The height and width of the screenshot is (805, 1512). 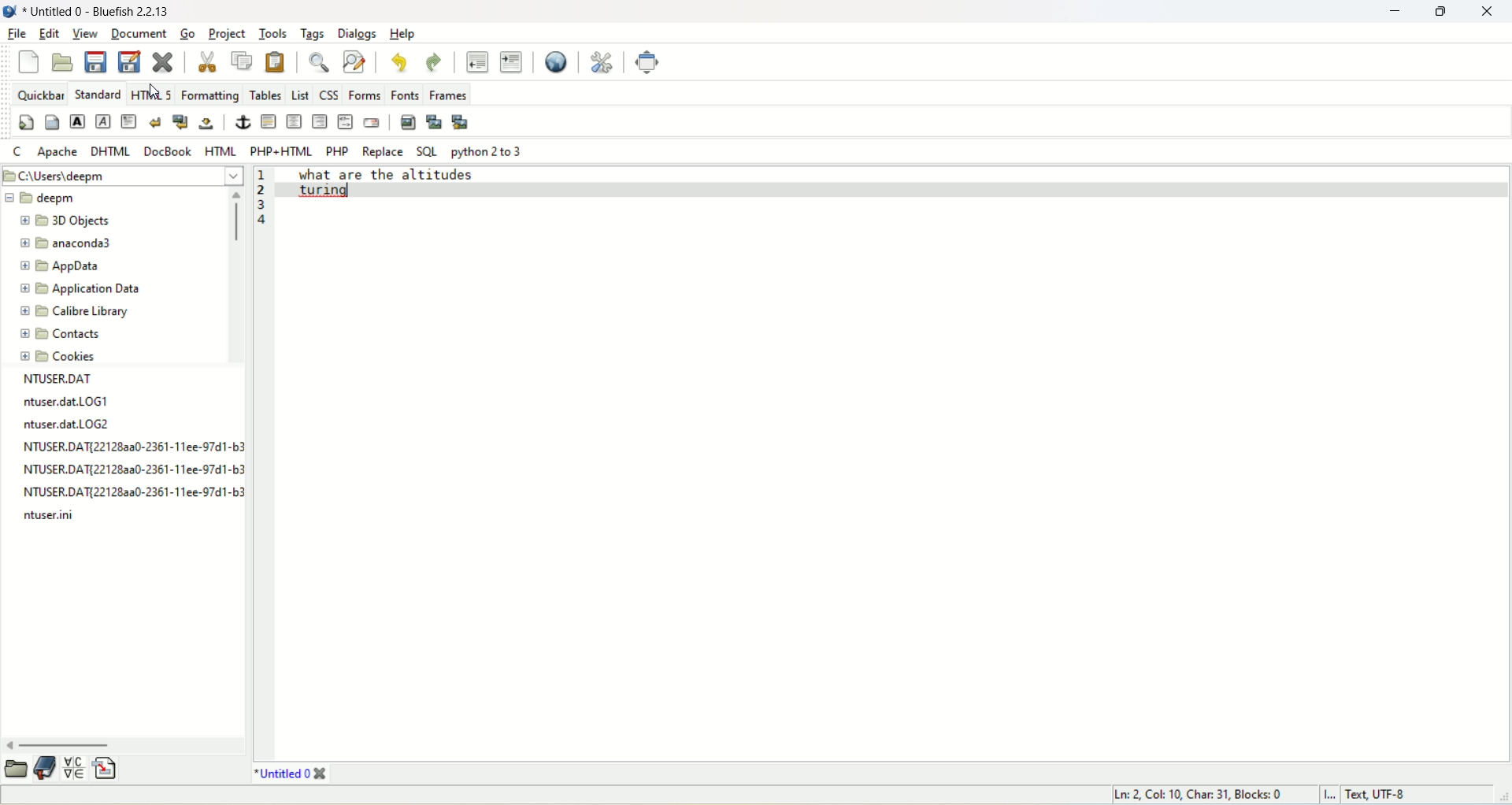 I want to click on save current file, so click(x=97, y=61).